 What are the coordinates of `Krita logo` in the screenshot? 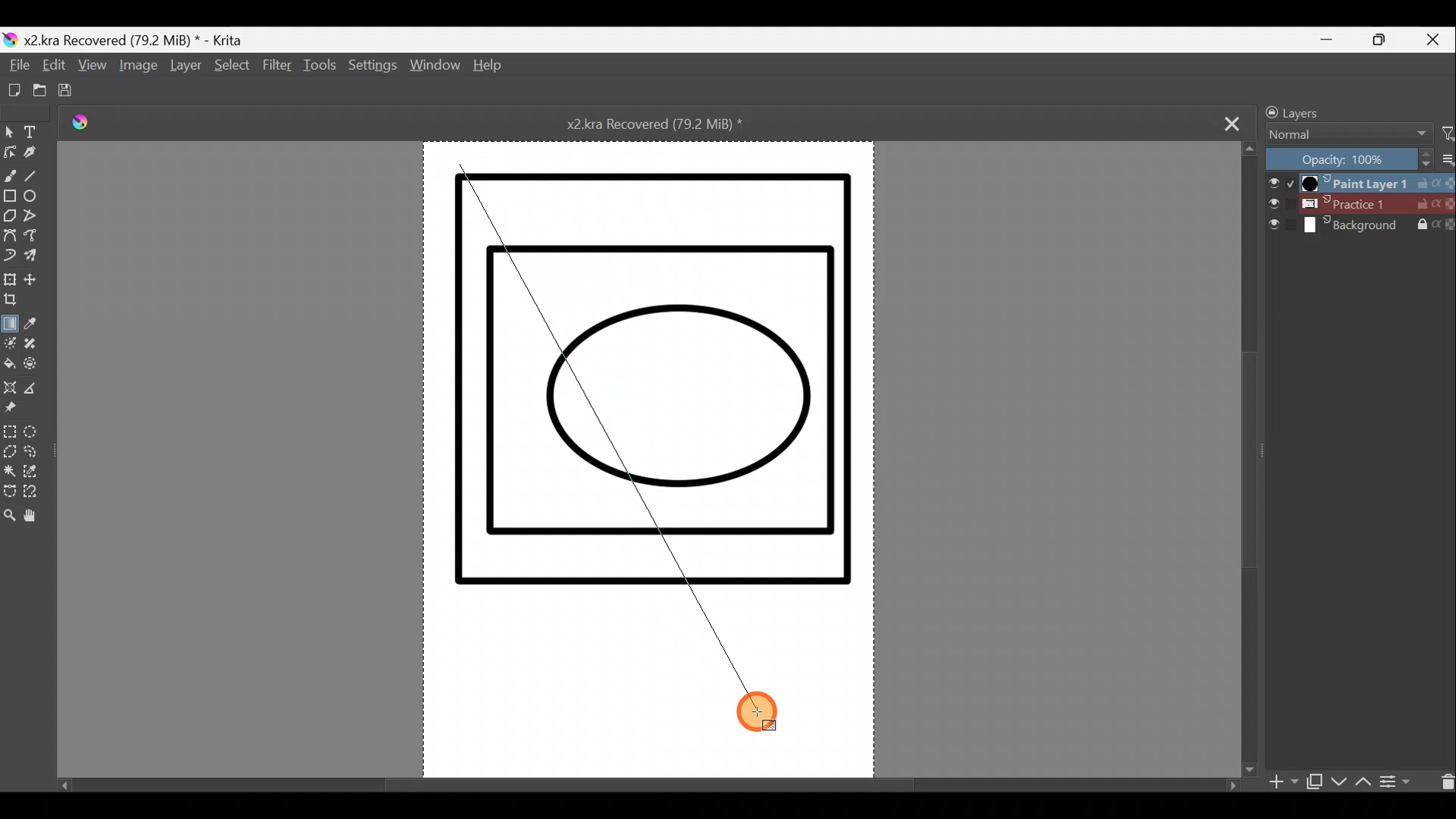 It's located at (90, 125).